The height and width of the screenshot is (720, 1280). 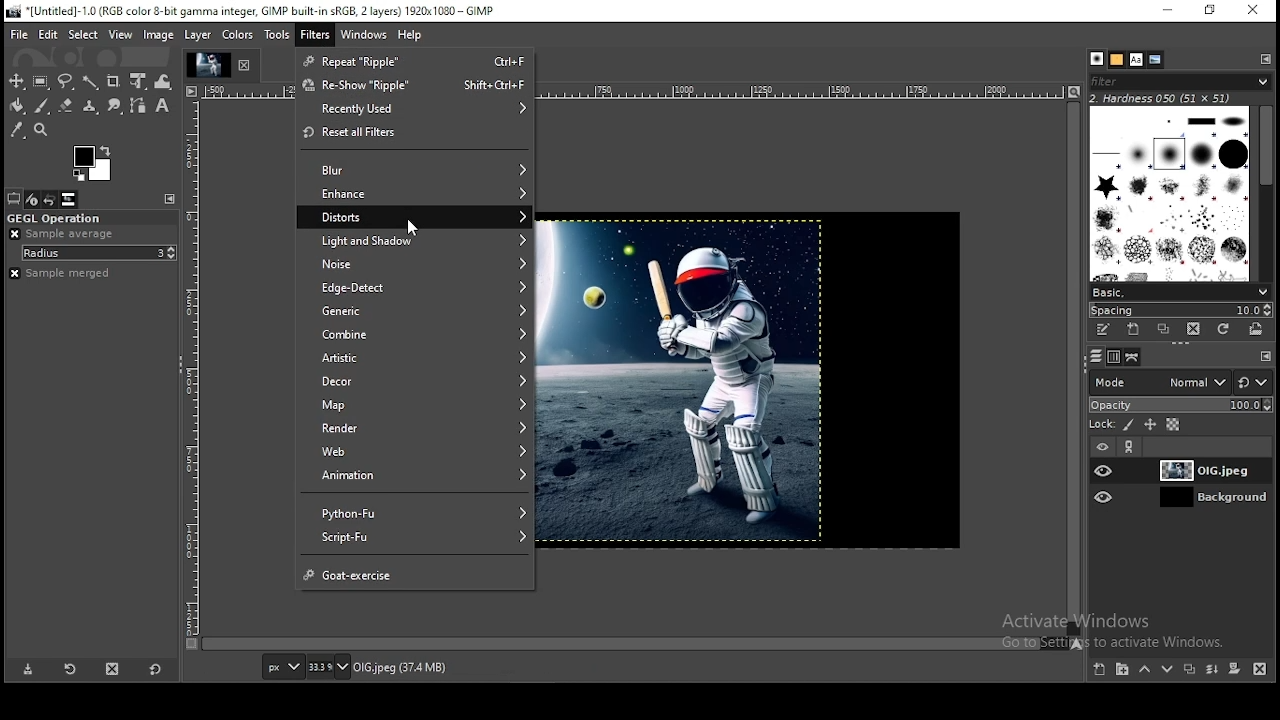 I want to click on icon and file name, so click(x=253, y=11).